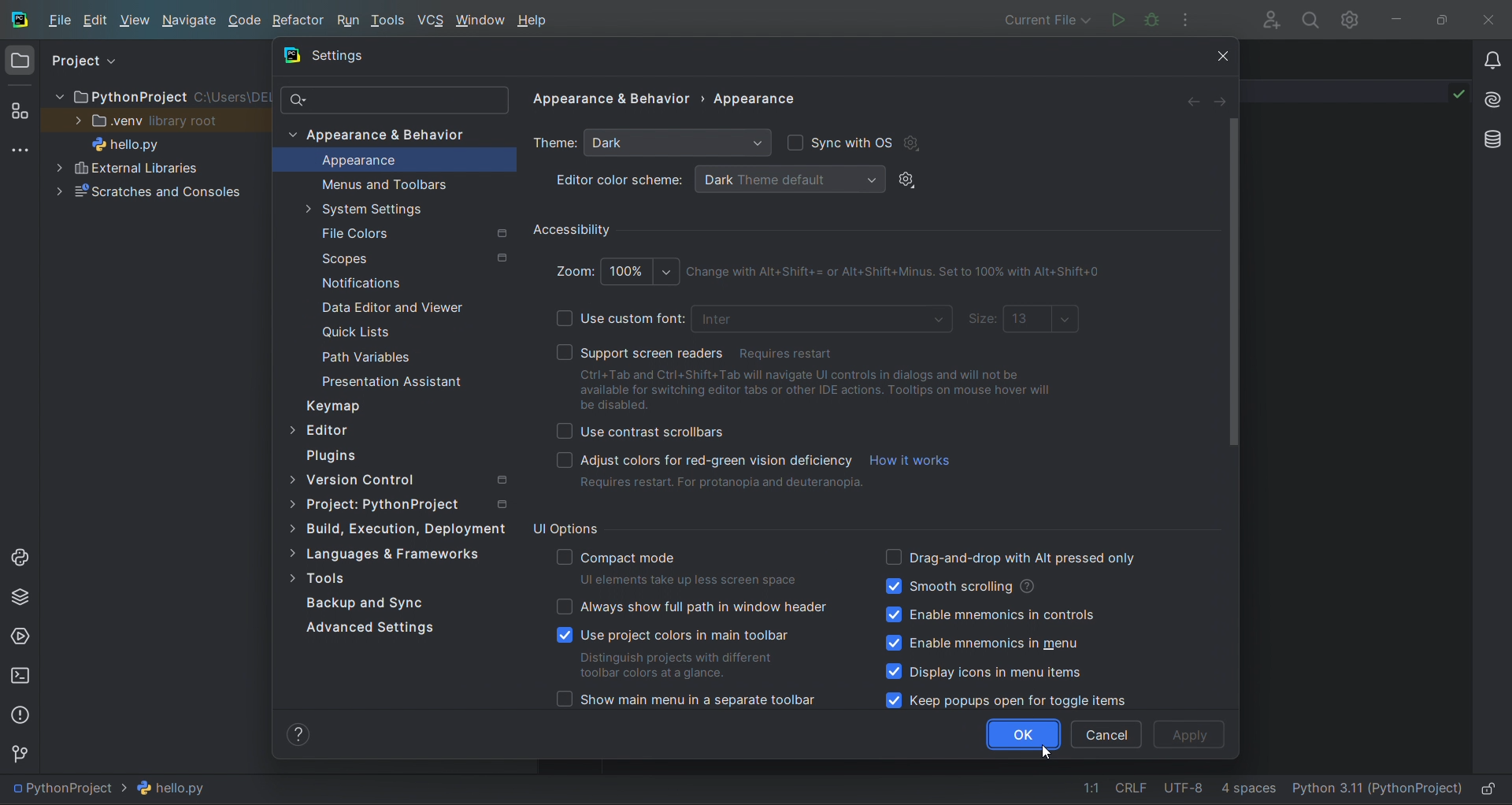 The image size is (1512, 805). I want to click on view Library root, so click(161, 120).